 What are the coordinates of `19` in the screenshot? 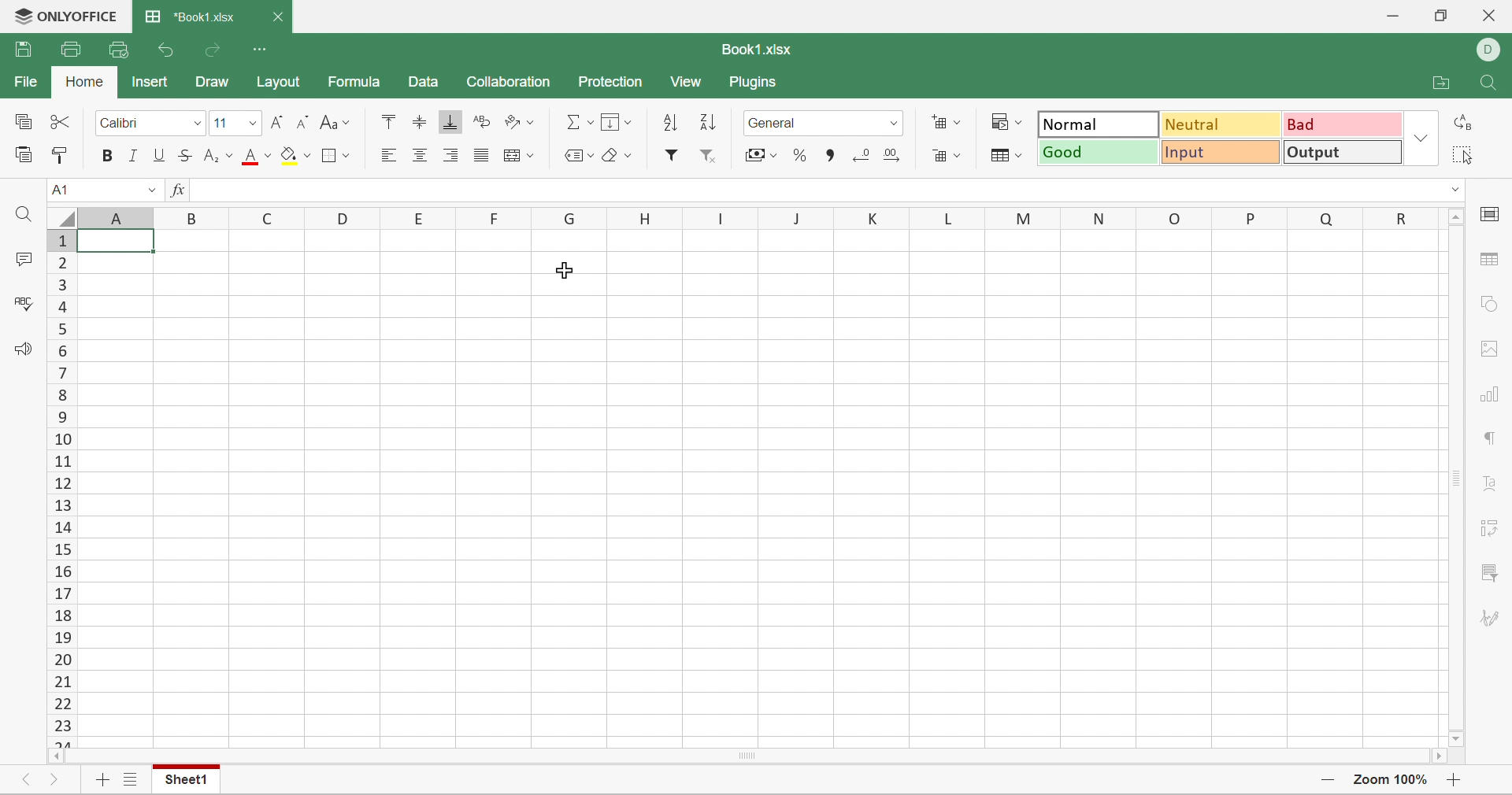 It's located at (62, 635).